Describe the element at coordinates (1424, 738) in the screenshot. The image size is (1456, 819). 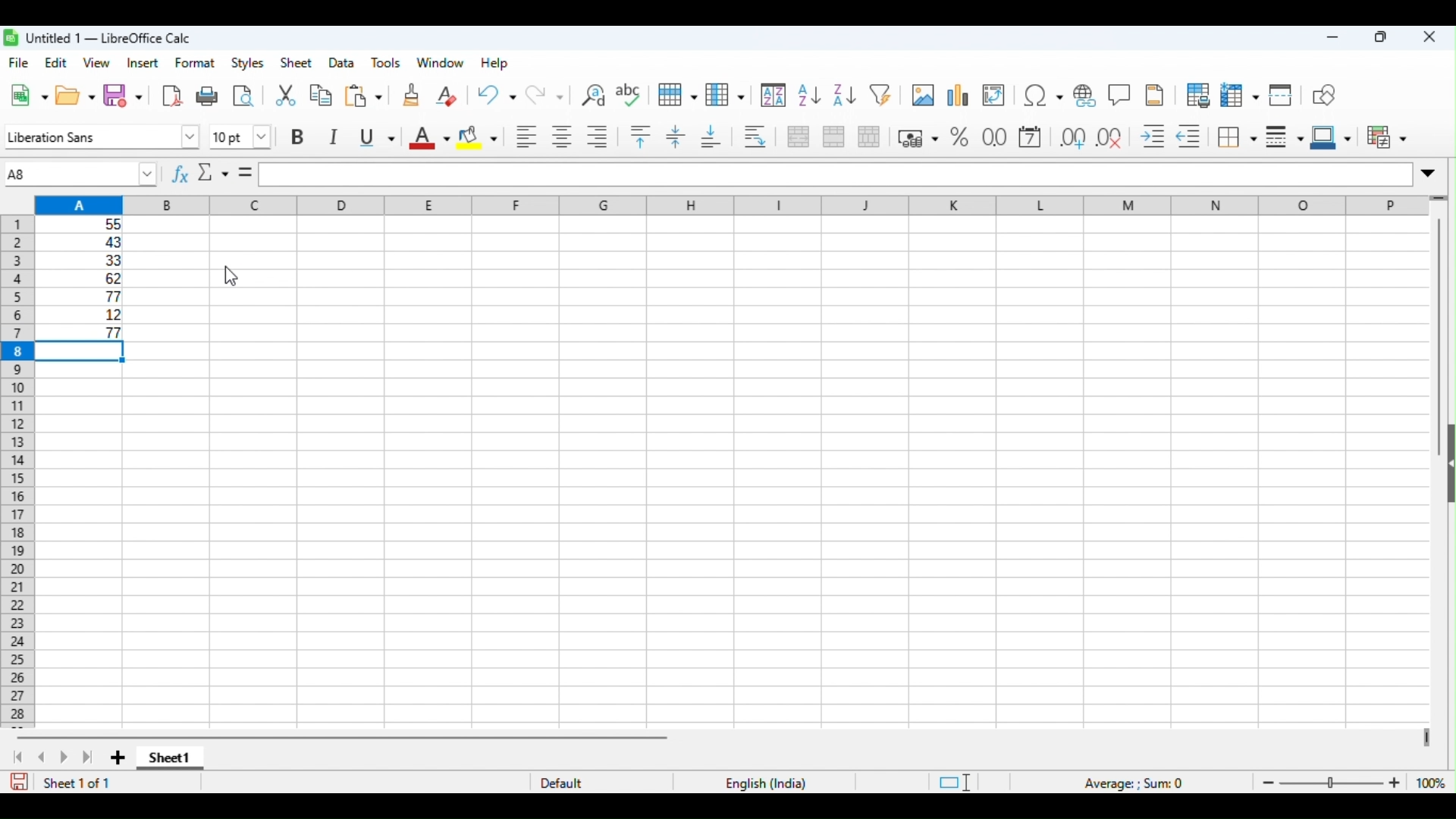
I see `drag to view next columns` at that location.